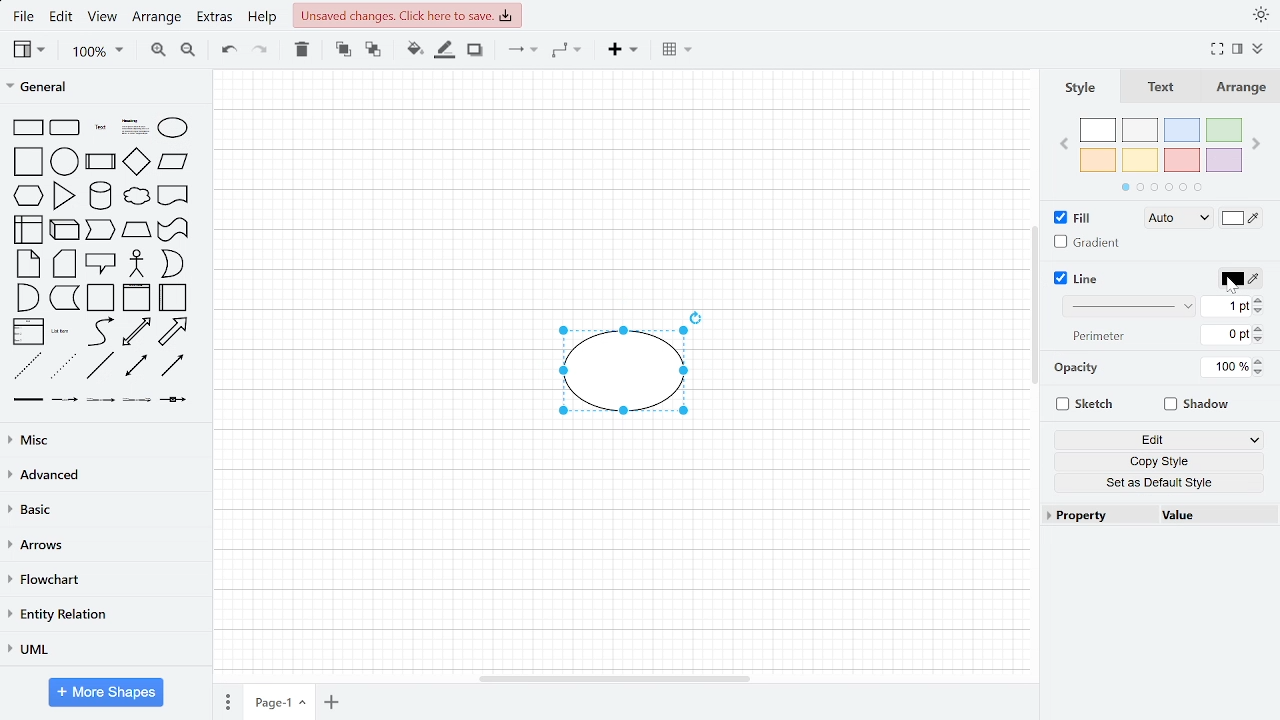  I want to click on Decrease line perimeter, so click(1259, 339).